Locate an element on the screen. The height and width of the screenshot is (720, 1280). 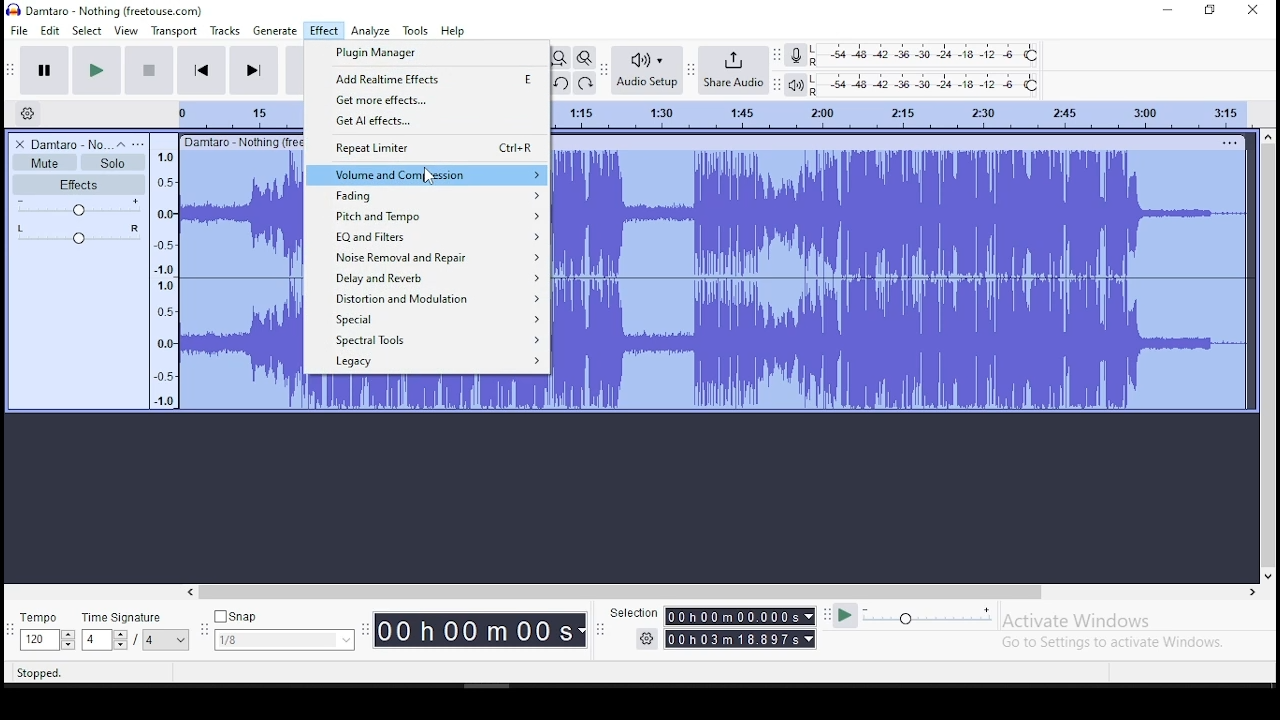
distortion is located at coordinates (428, 298).